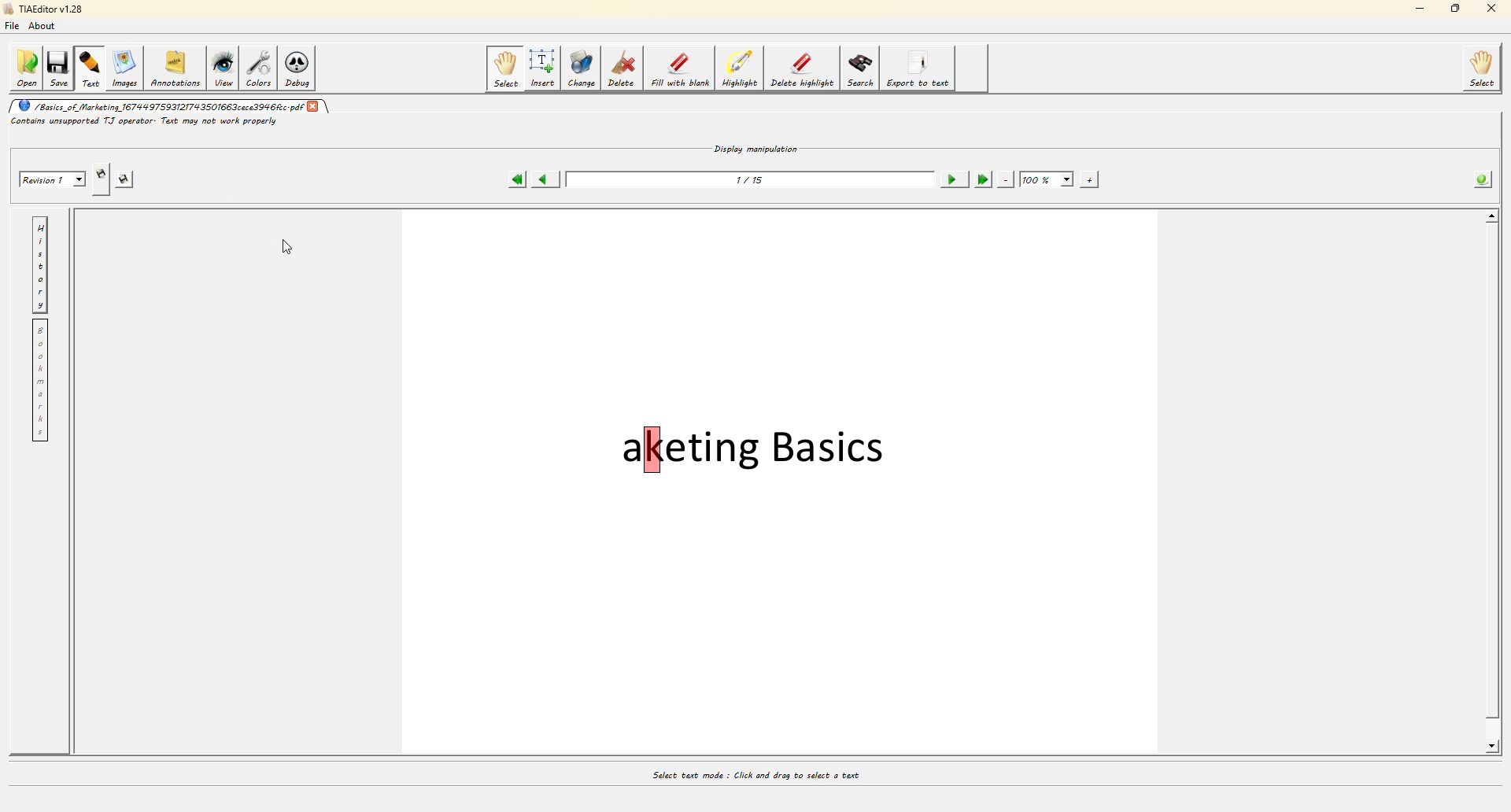 This screenshot has width=1511, height=812. I want to click on zoom in, so click(1092, 178).